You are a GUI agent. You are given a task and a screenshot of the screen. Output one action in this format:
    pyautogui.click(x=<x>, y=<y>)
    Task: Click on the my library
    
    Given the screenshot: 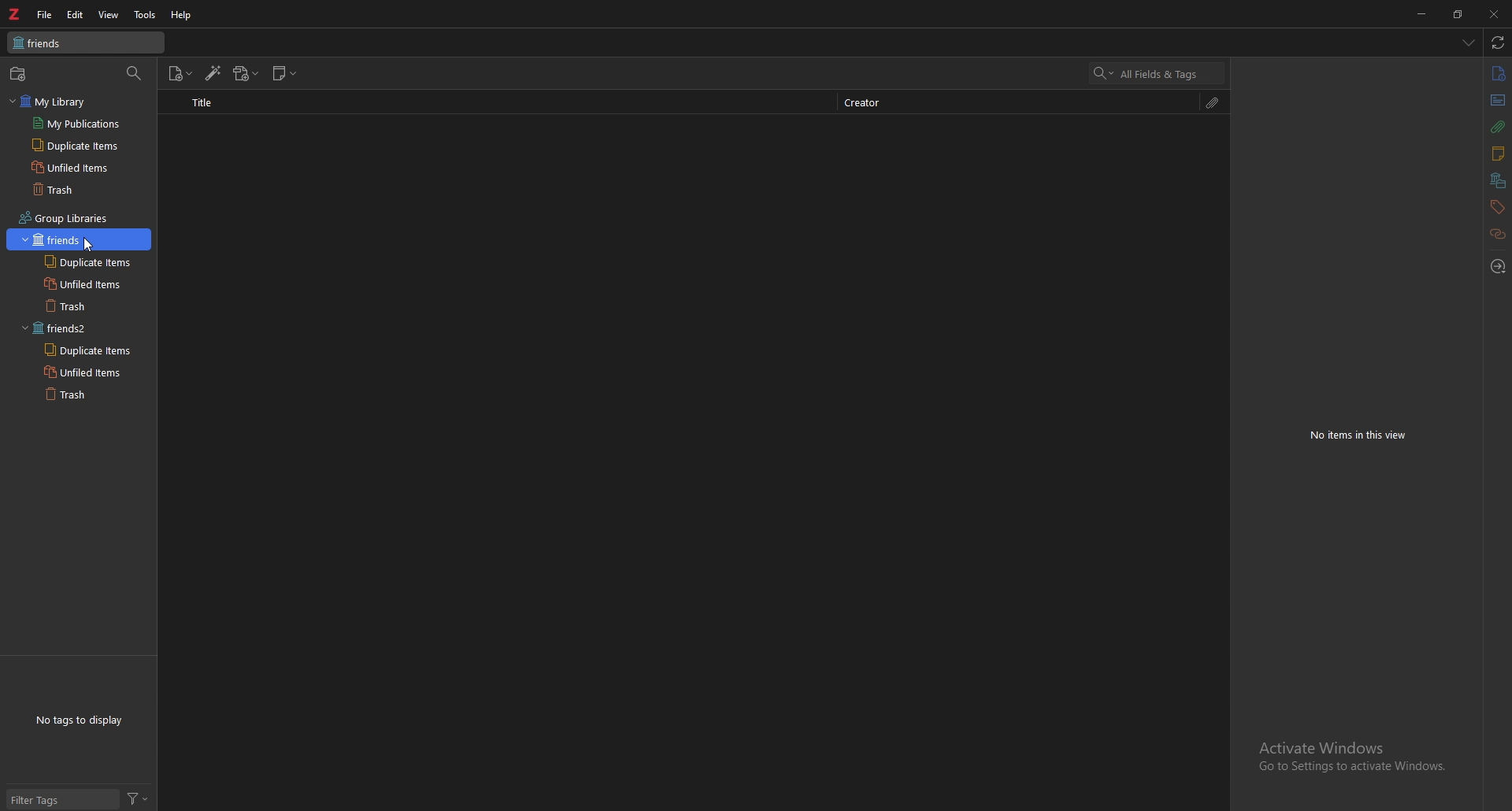 What is the action you would take?
    pyautogui.click(x=75, y=101)
    